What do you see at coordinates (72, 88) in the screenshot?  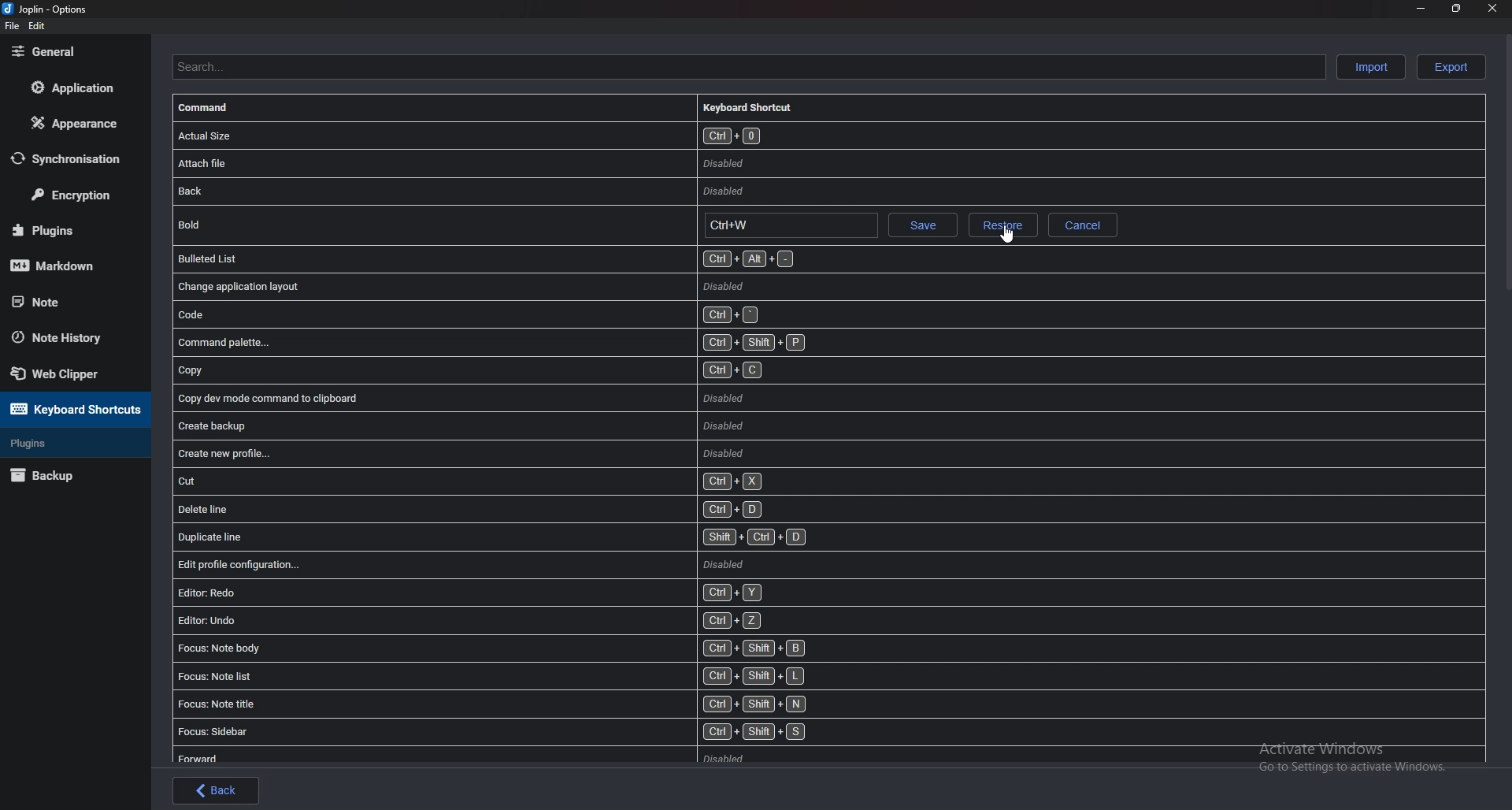 I see `Application` at bounding box center [72, 88].